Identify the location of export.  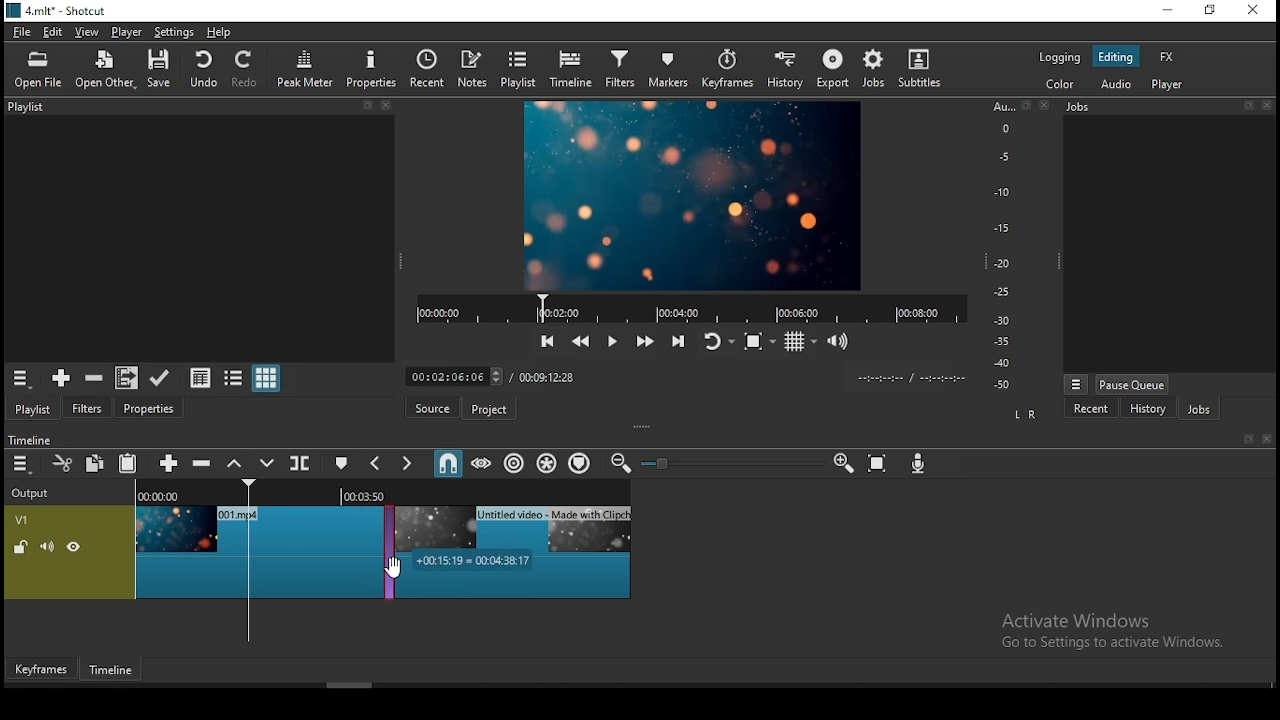
(830, 70).